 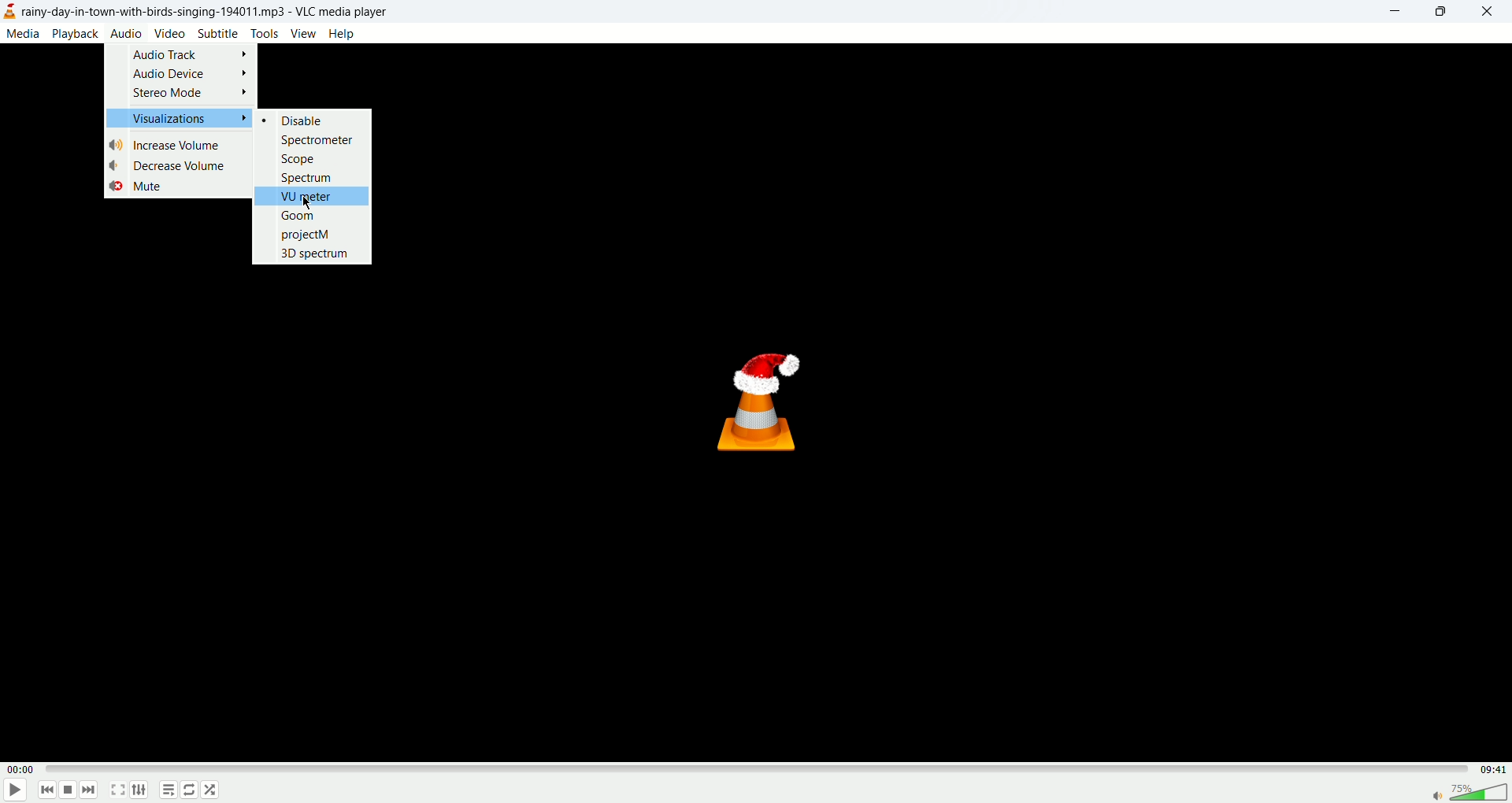 What do you see at coordinates (126, 35) in the screenshot?
I see `audio` at bounding box center [126, 35].